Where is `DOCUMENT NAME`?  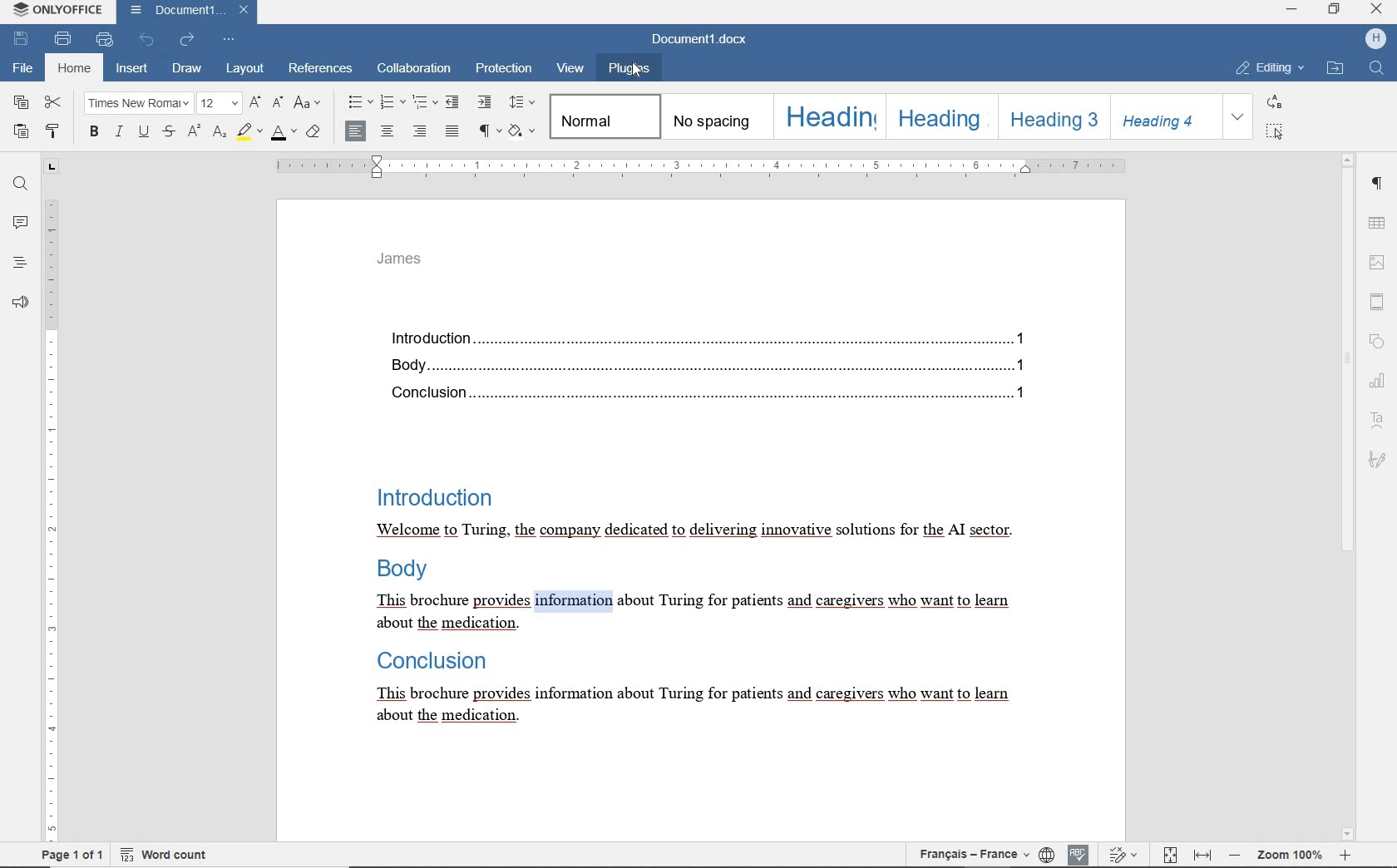 DOCUMENT NAME is located at coordinates (187, 12).